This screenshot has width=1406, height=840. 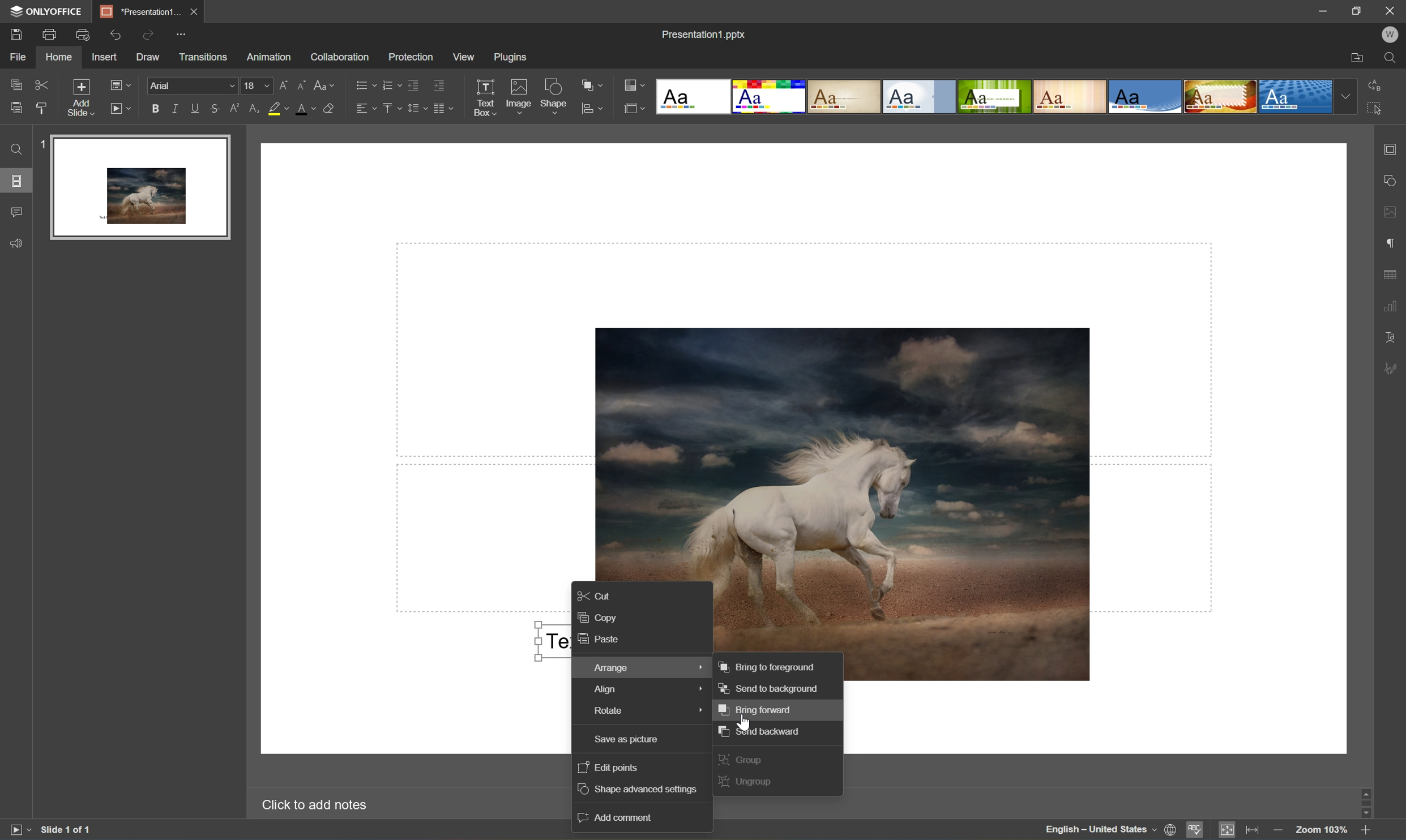 I want to click on Scroll Up, so click(x=1365, y=788).